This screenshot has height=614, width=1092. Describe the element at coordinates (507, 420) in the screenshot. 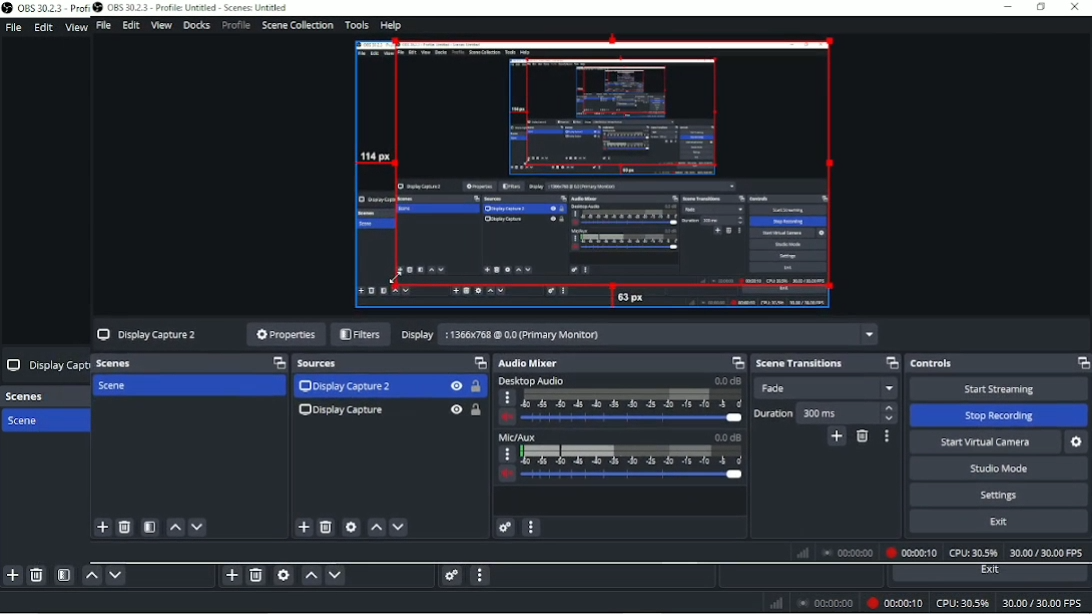

I see `volume` at that location.